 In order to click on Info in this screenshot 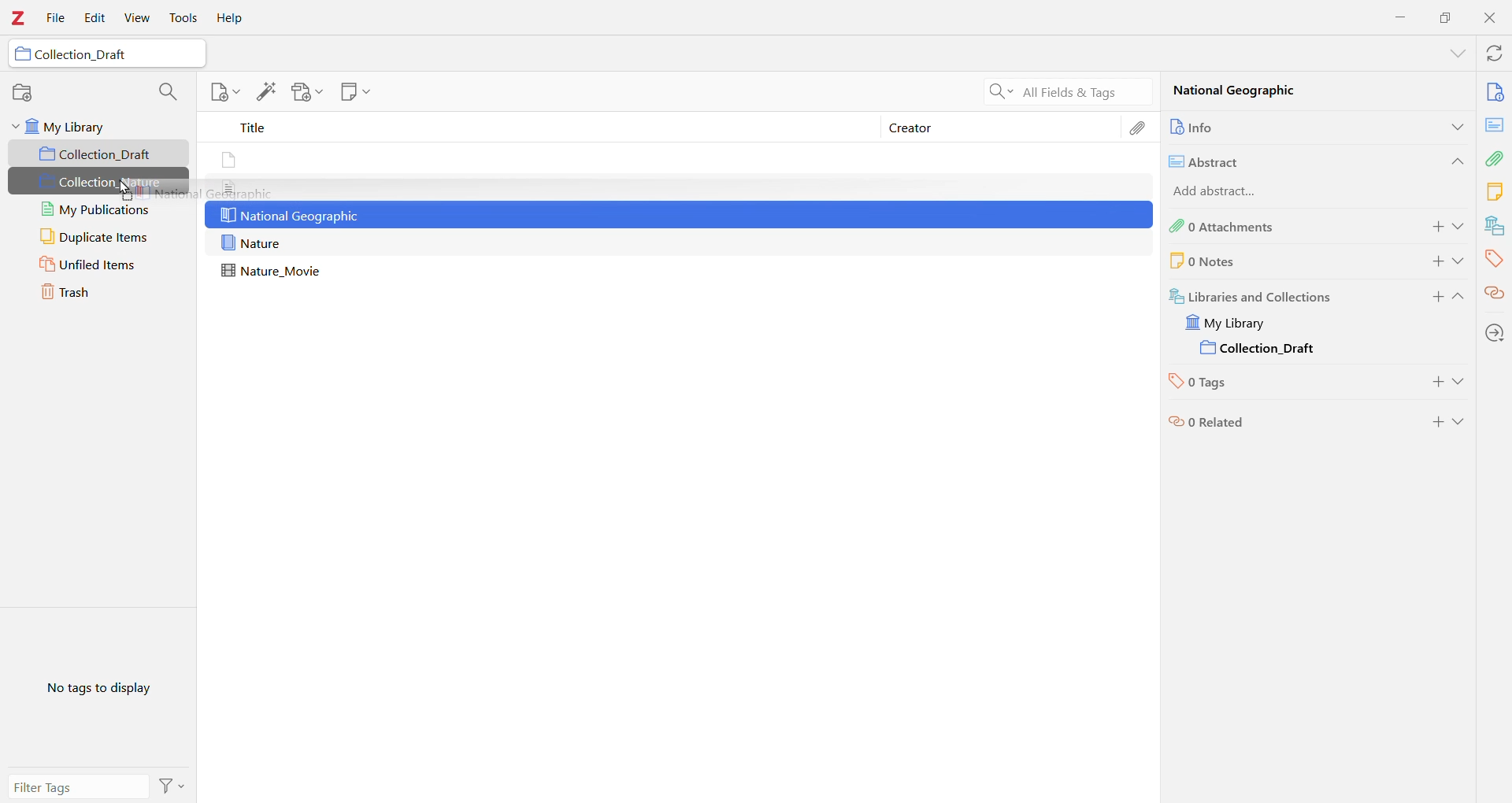, I will do `click(1495, 91)`.